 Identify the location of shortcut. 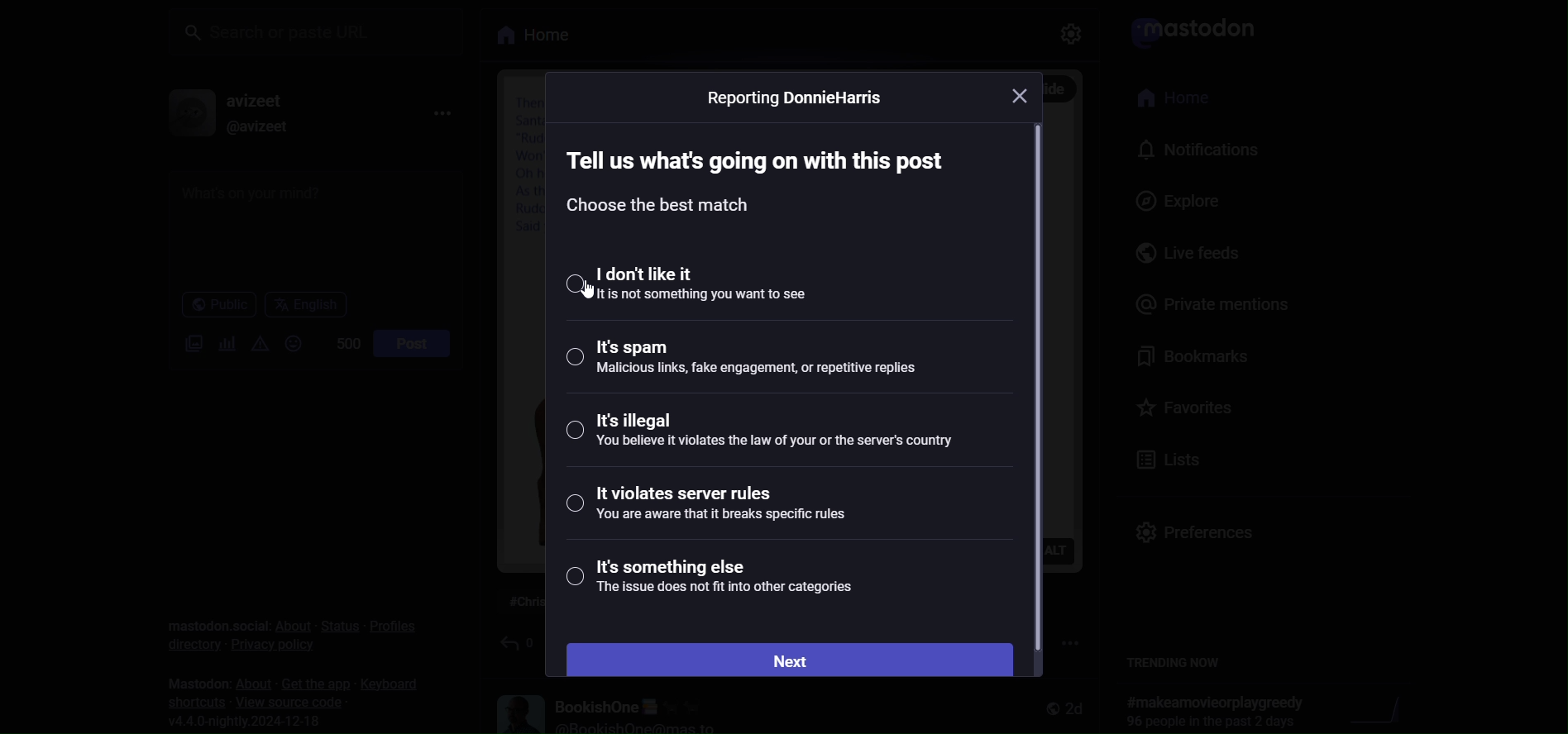
(191, 702).